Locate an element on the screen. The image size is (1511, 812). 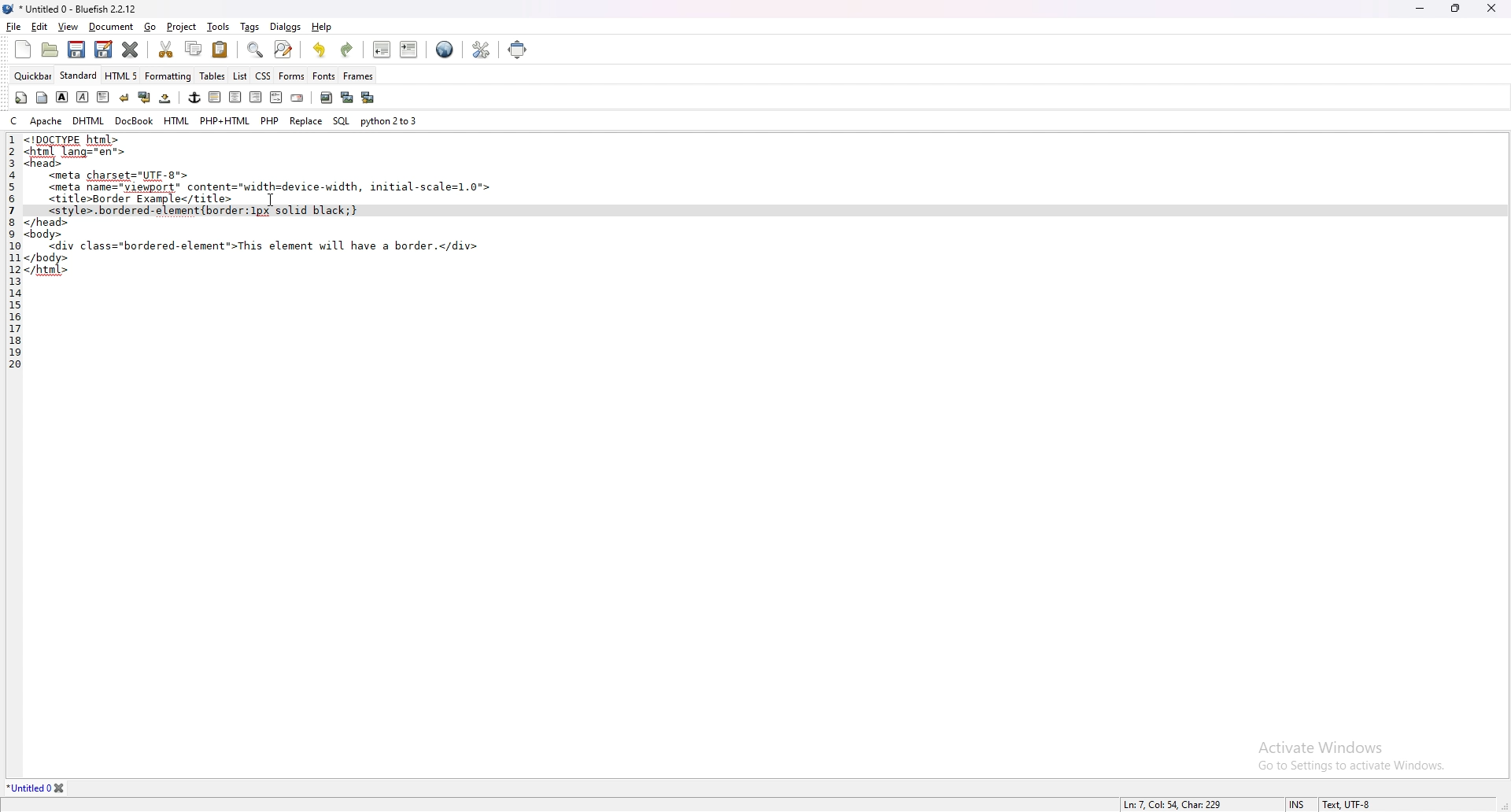
new is located at coordinates (22, 50).